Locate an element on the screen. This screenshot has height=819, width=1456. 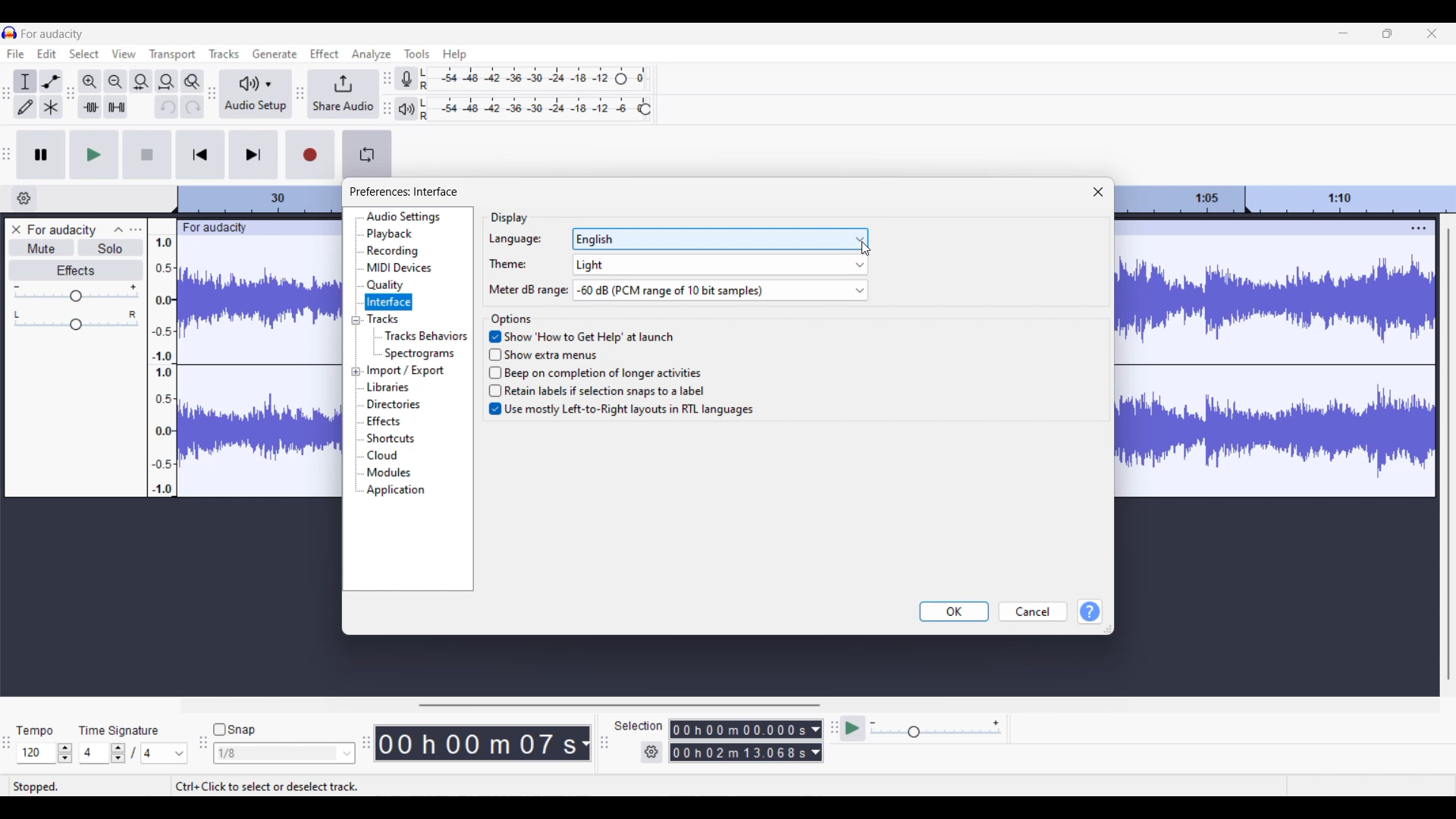
Zoom toggle is located at coordinates (192, 81).